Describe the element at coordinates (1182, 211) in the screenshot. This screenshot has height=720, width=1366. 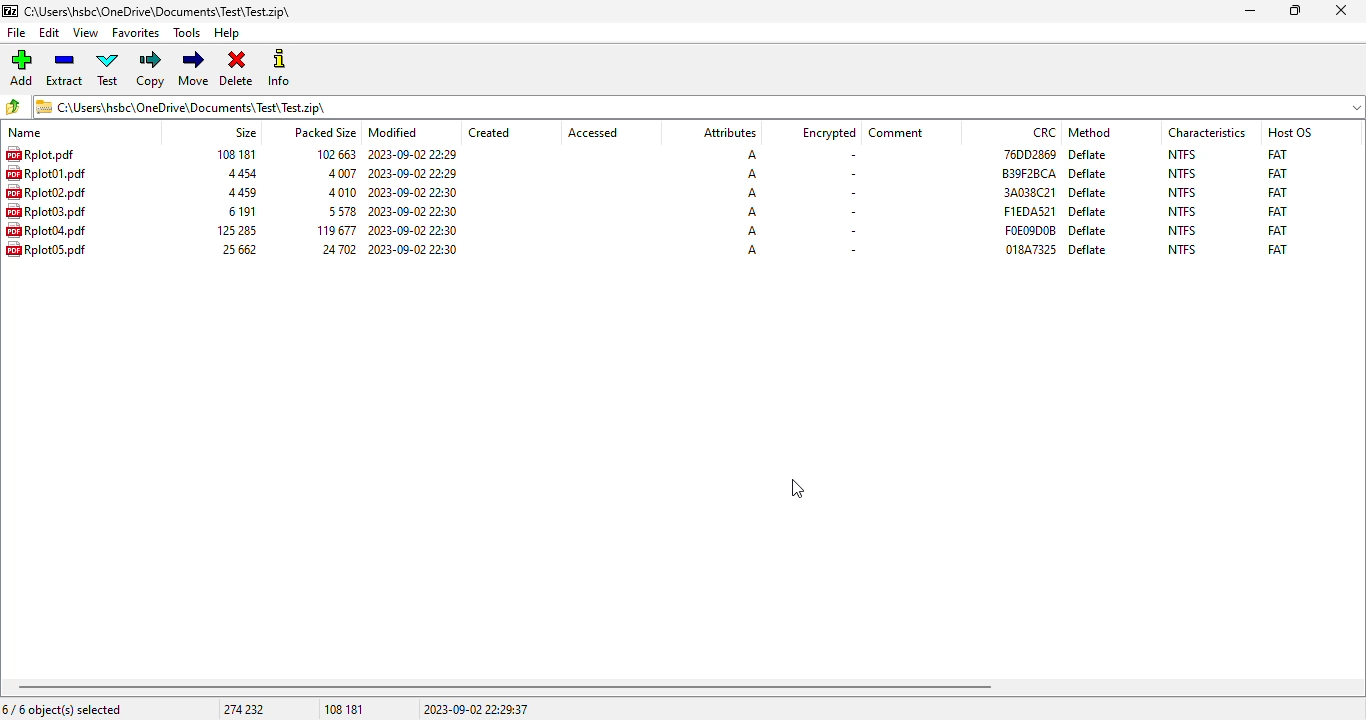
I see `NTFS` at that location.